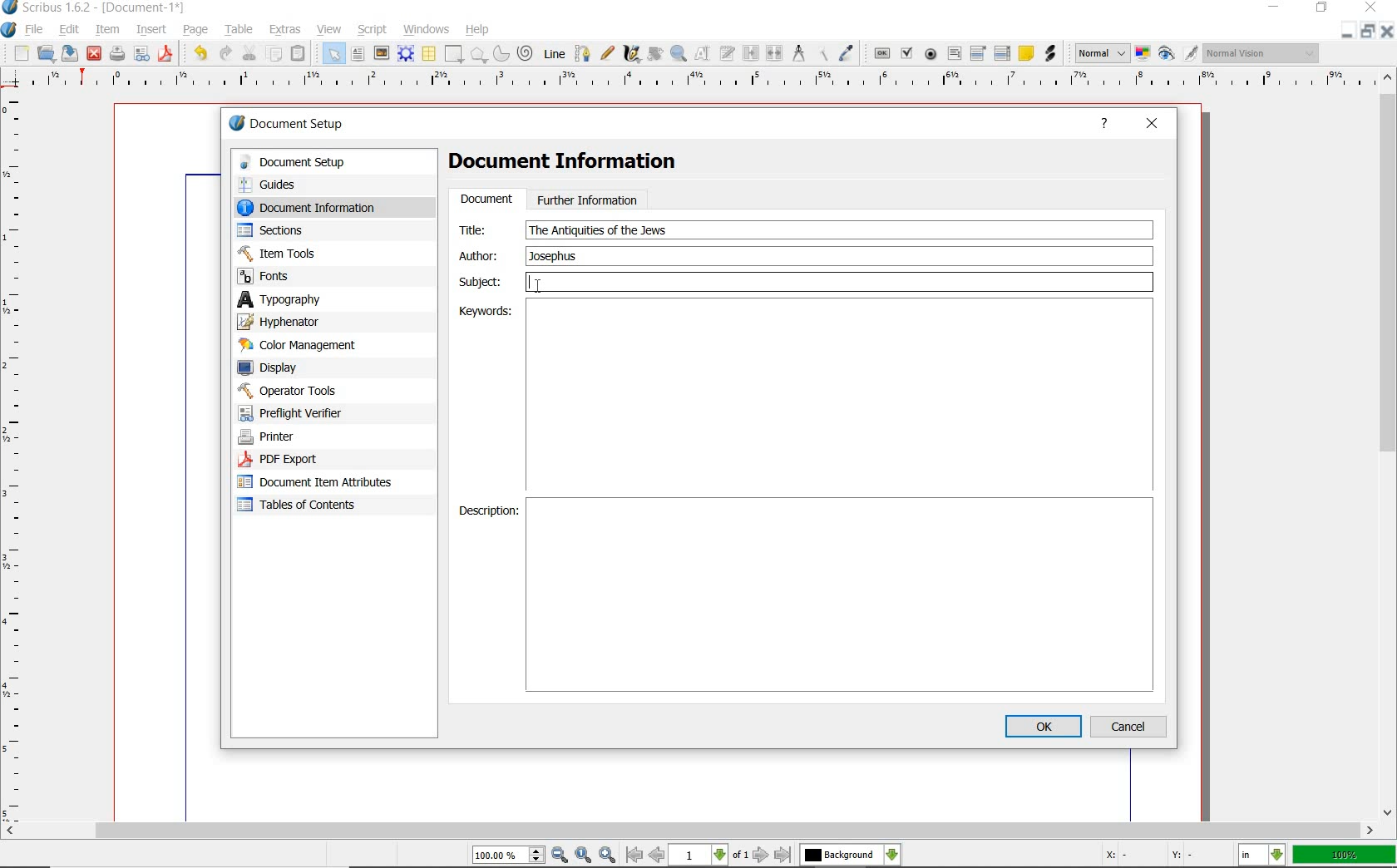  Describe the element at coordinates (527, 52) in the screenshot. I see `spiral` at that location.